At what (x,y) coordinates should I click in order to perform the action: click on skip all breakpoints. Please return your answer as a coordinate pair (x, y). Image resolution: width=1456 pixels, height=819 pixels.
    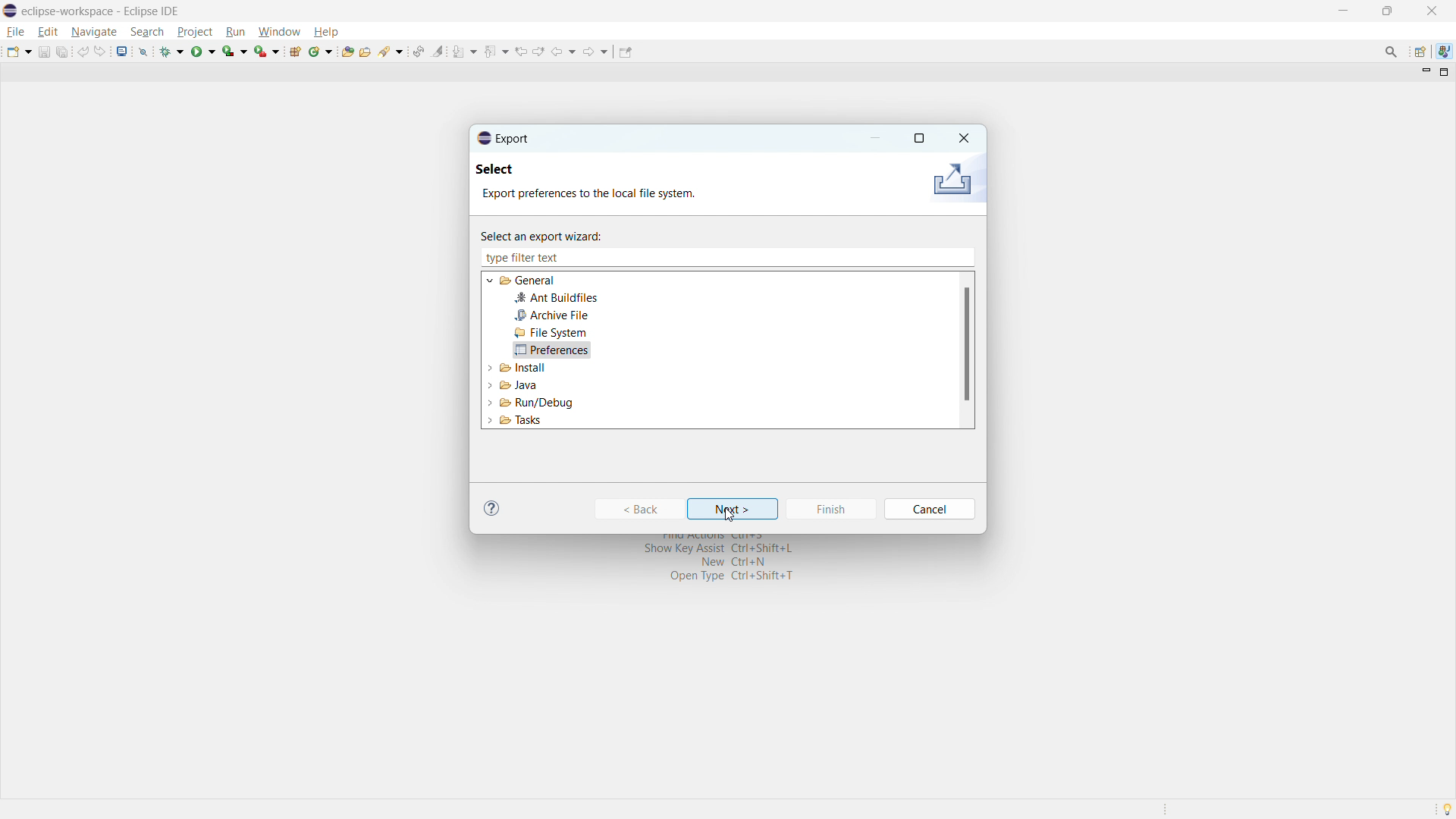
    Looking at the image, I should click on (143, 51).